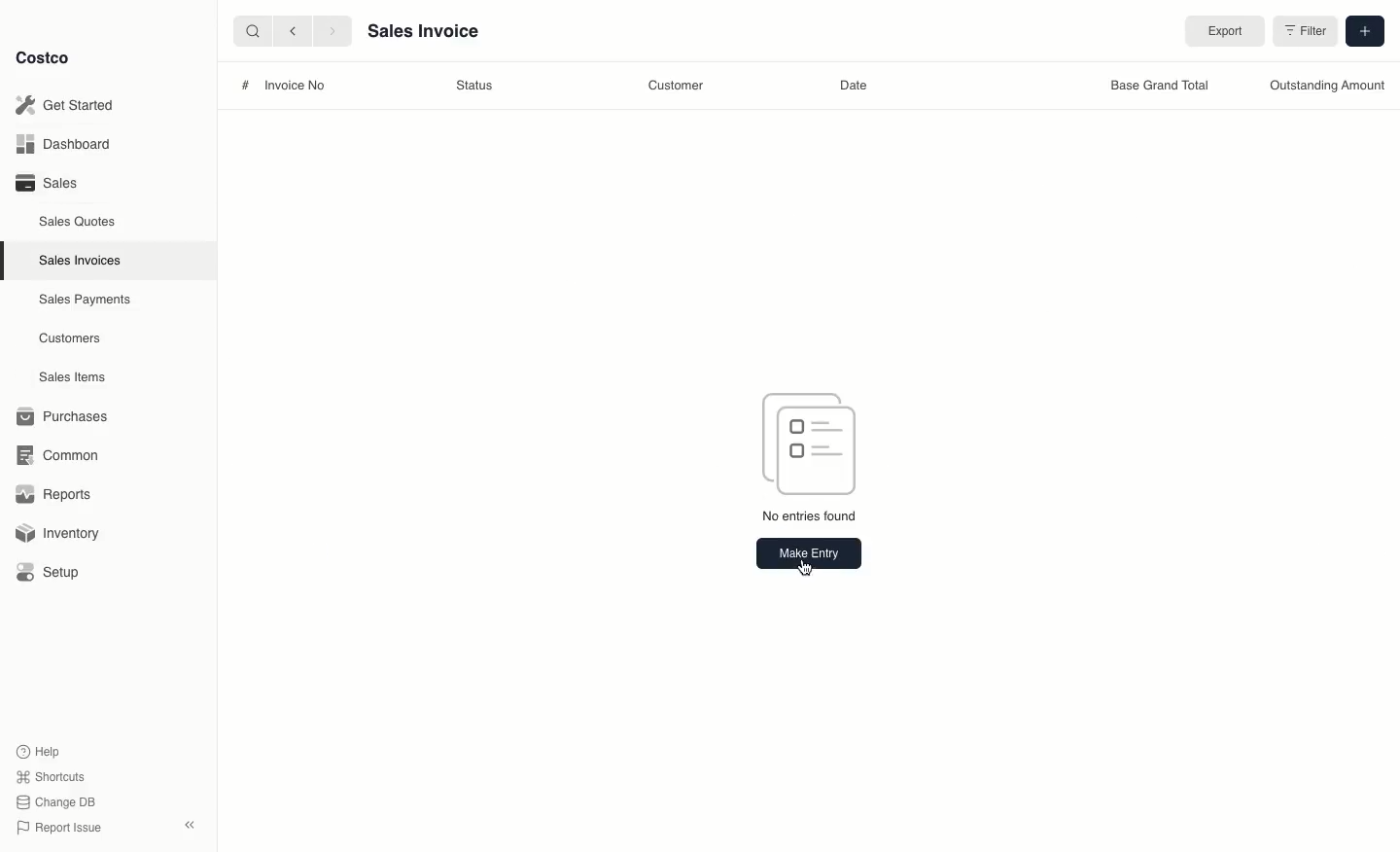  Describe the element at coordinates (67, 416) in the screenshot. I see `Purchases` at that location.